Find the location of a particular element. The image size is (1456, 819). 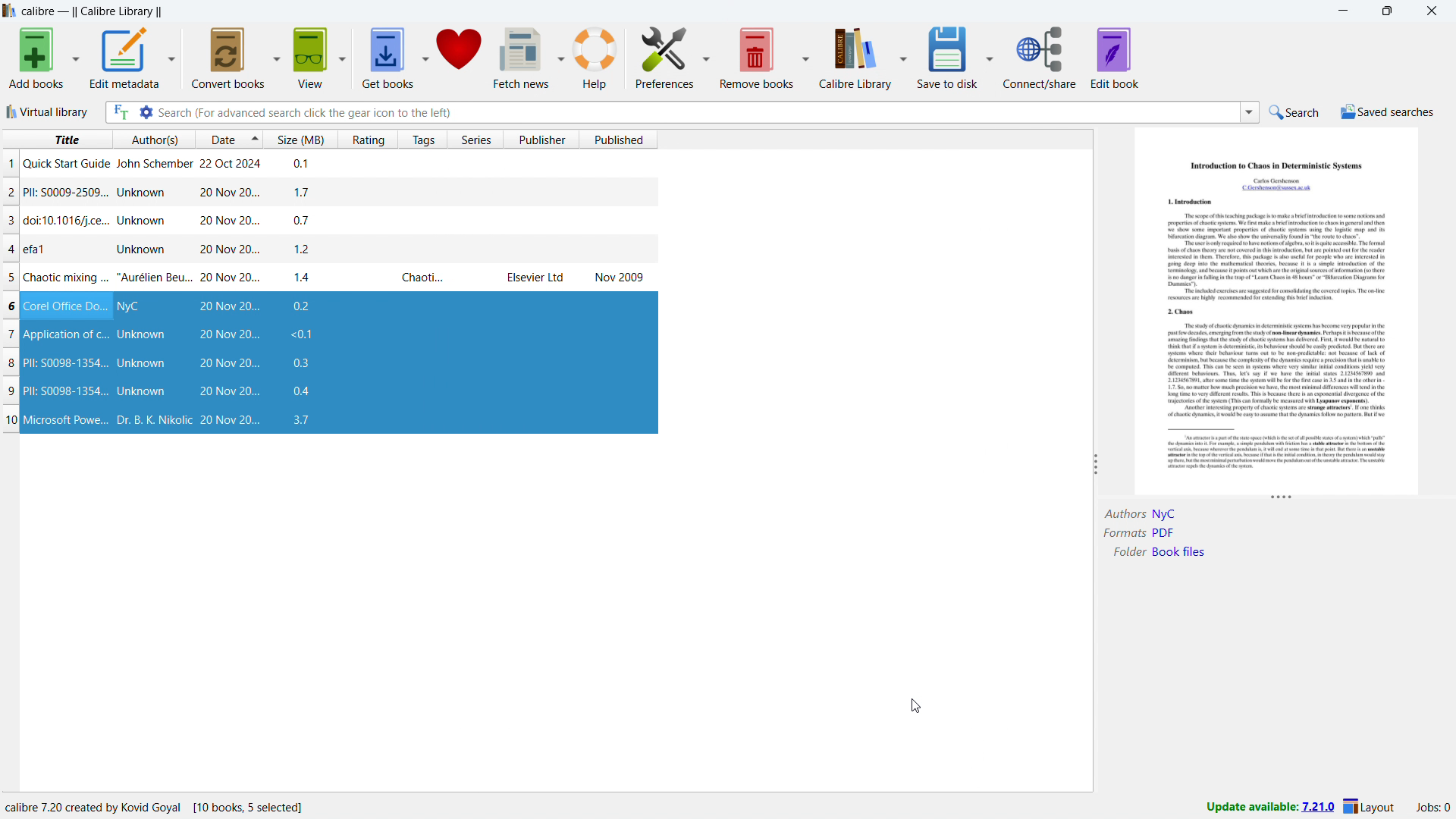

save to disk options is located at coordinates (990, 55).